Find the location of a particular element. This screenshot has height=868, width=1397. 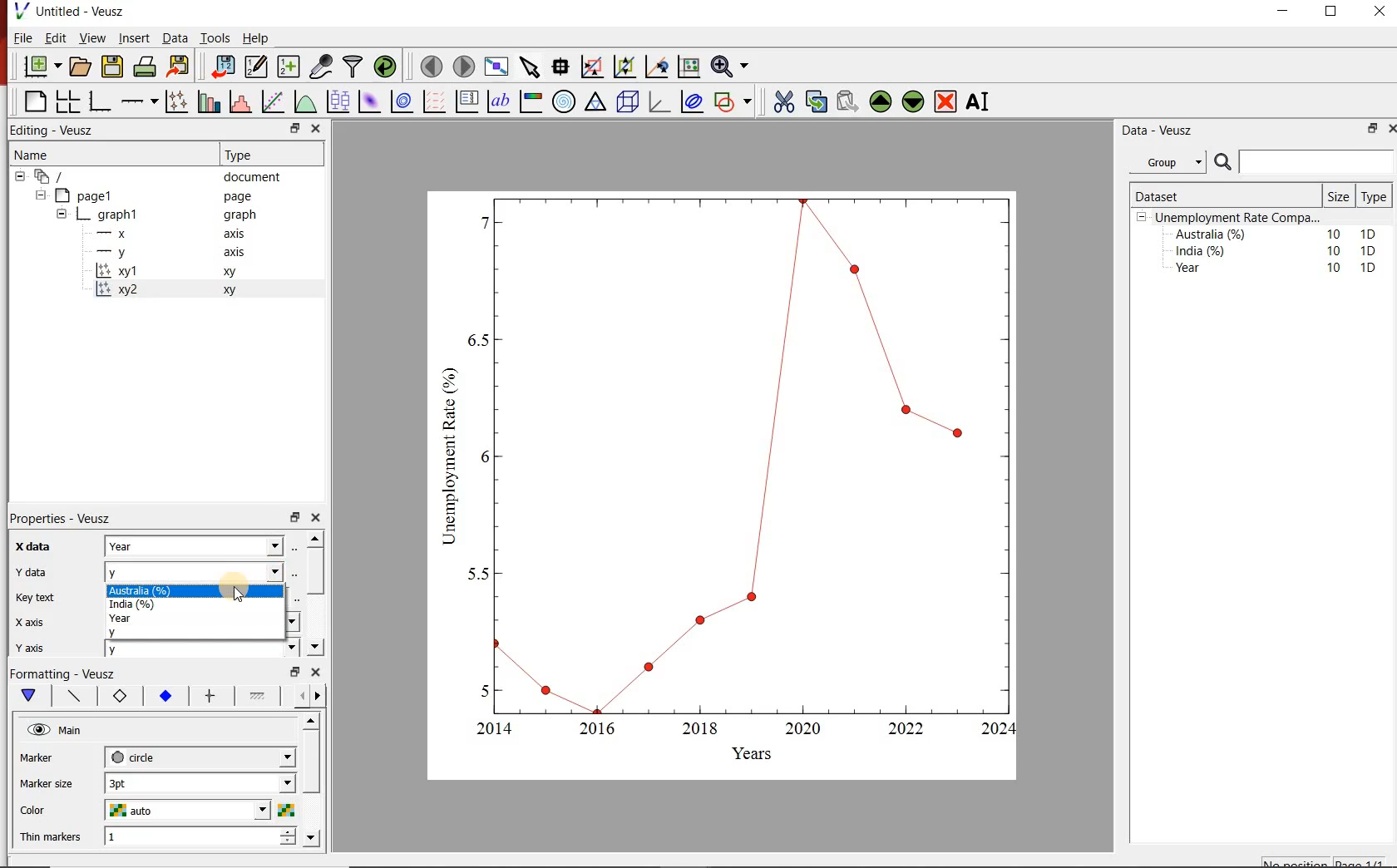

save document is located at coordinates (112, 66).